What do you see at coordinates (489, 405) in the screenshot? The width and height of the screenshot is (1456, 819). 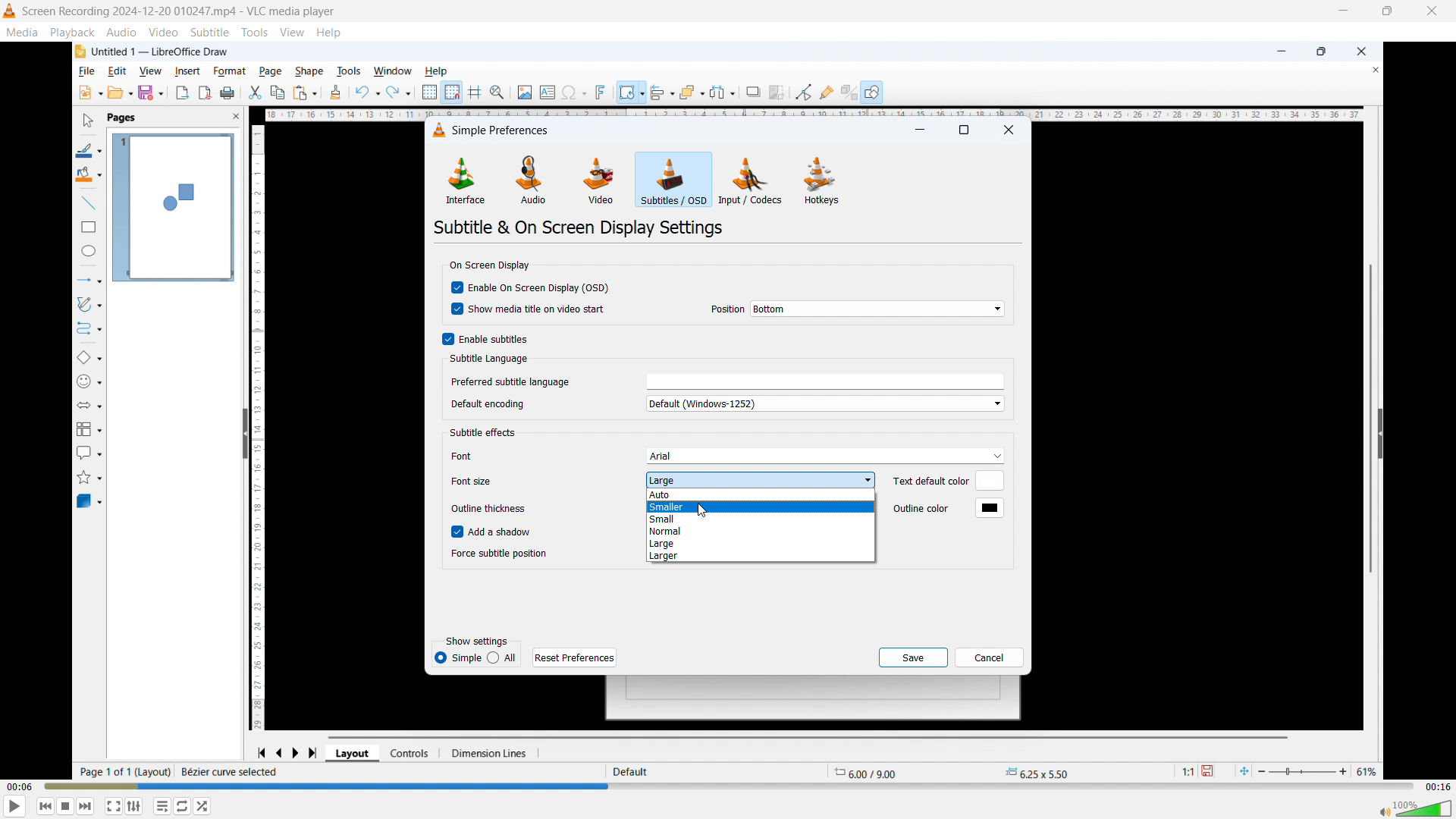 I see `Default encoding` at bounding box center [489, 405].